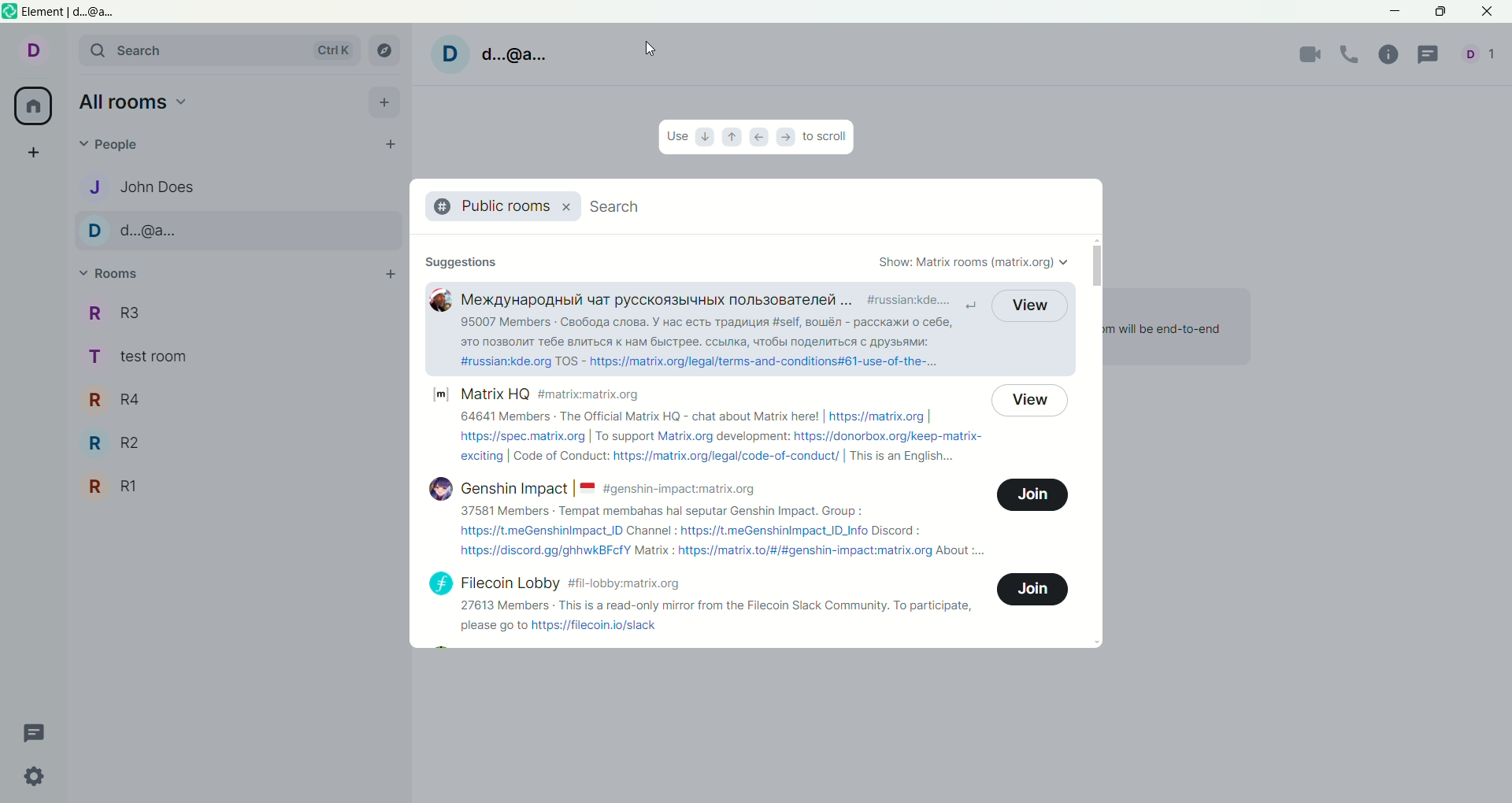 This screenshot has height=803, width=1512. I want to click on https://discord.gg/ghhwkBFcfY, so click(545, 551).